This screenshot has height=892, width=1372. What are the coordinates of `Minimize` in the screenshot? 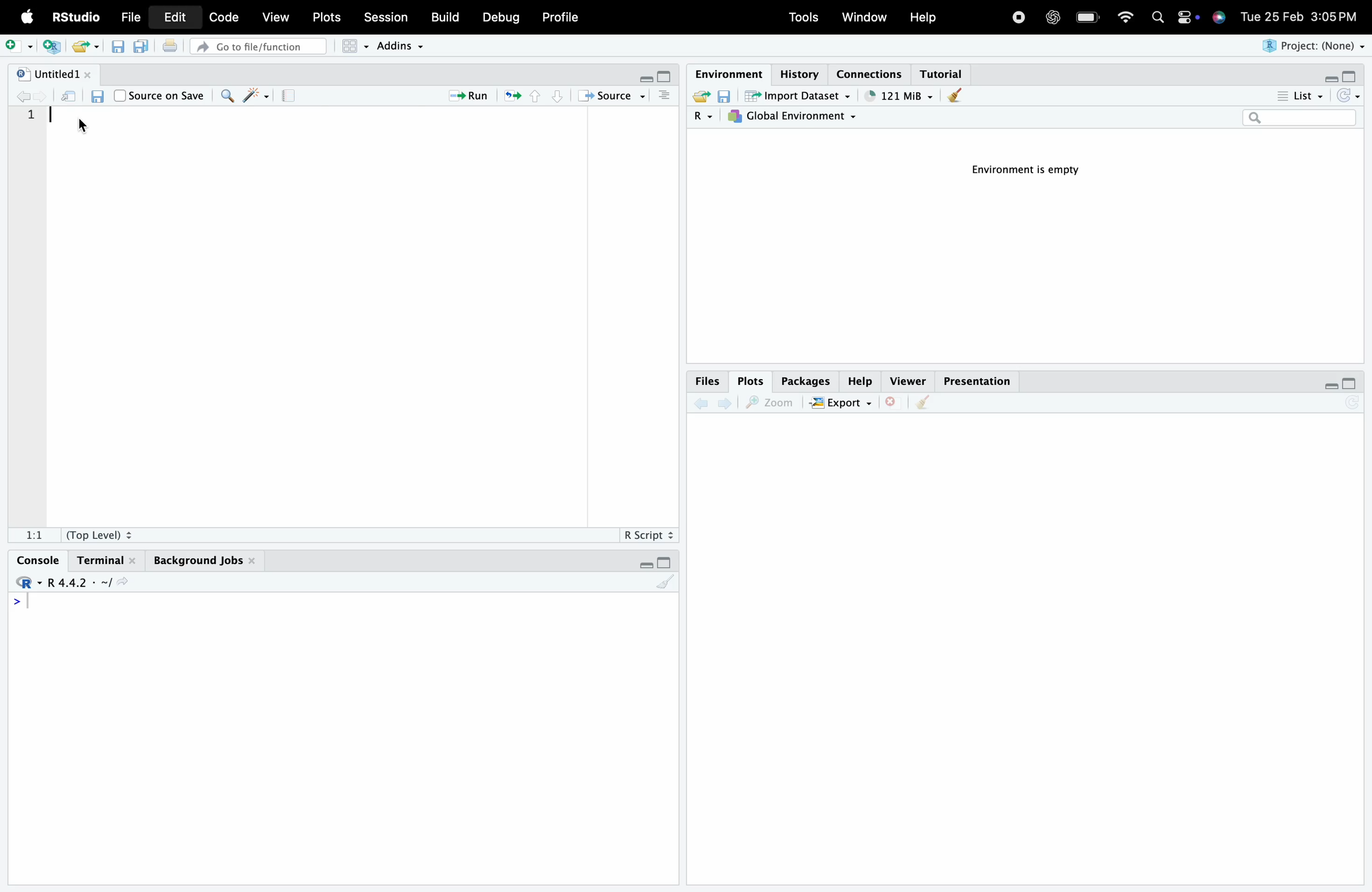 It's located at (1332, 385).